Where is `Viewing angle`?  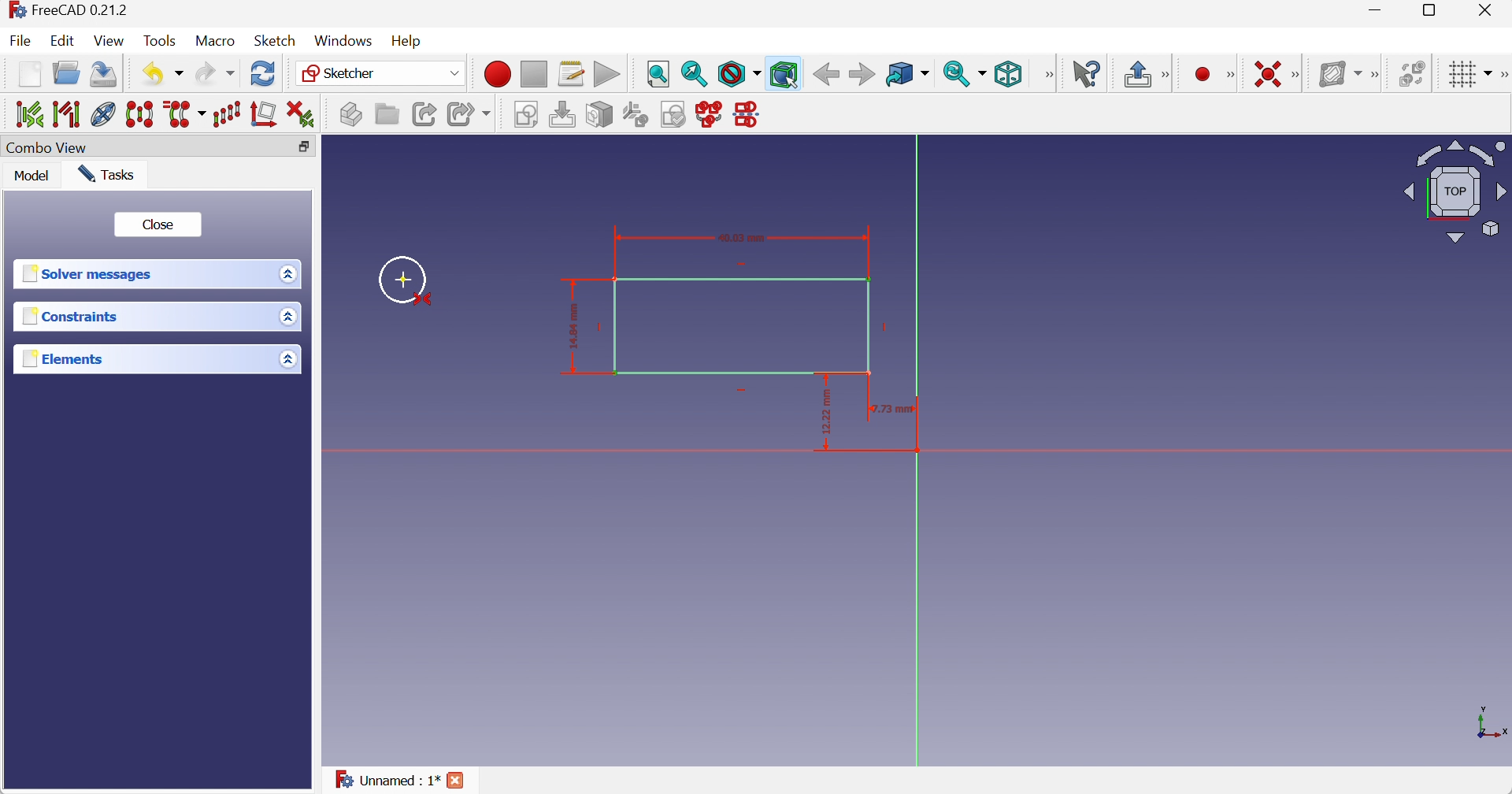
Viewing angle is located at coordinates (1455, 194).